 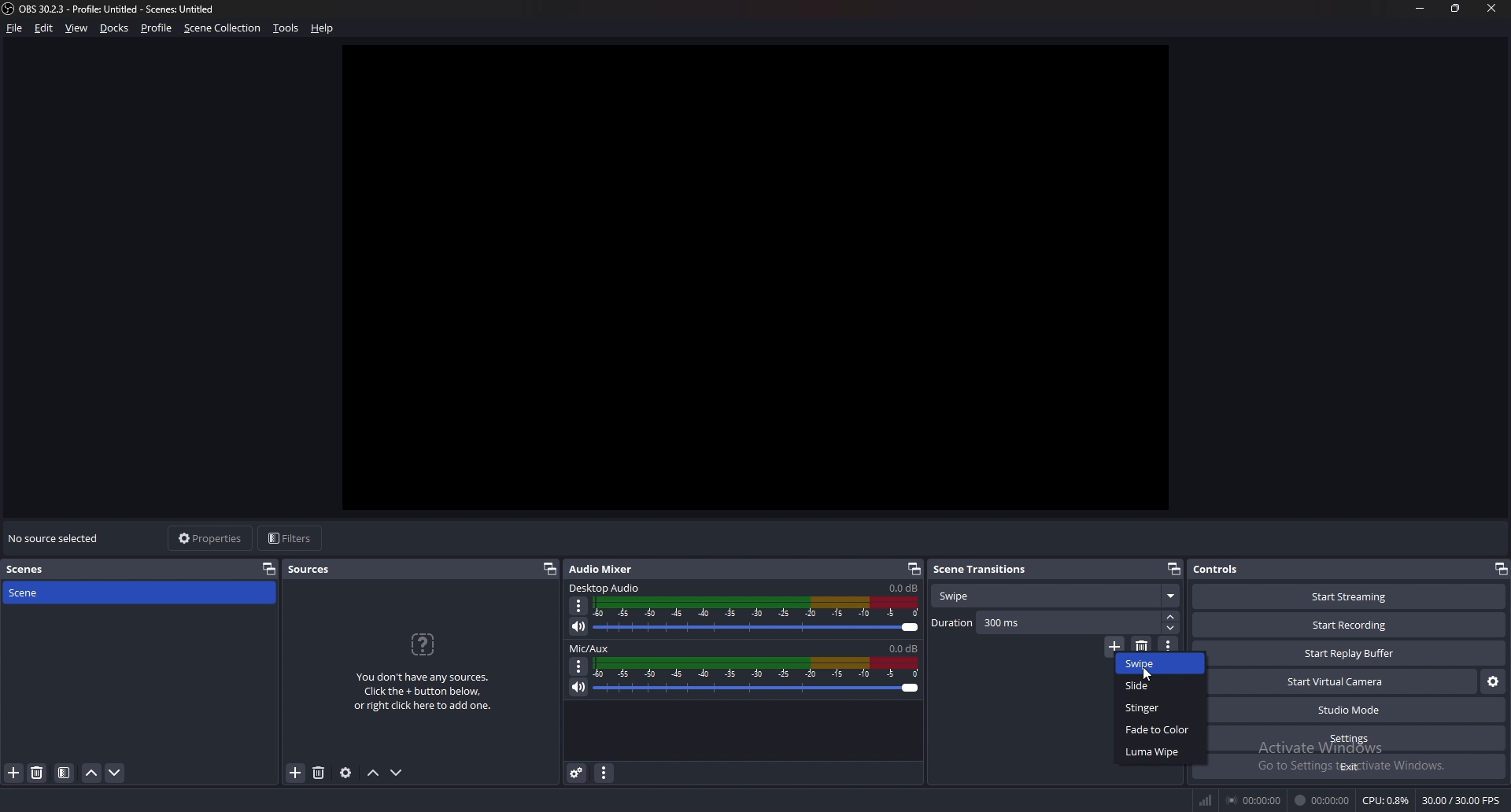 What do you see at coordinates (54, 570) in the screenshot?
I see `scenes` at bounding box center [54, 570].